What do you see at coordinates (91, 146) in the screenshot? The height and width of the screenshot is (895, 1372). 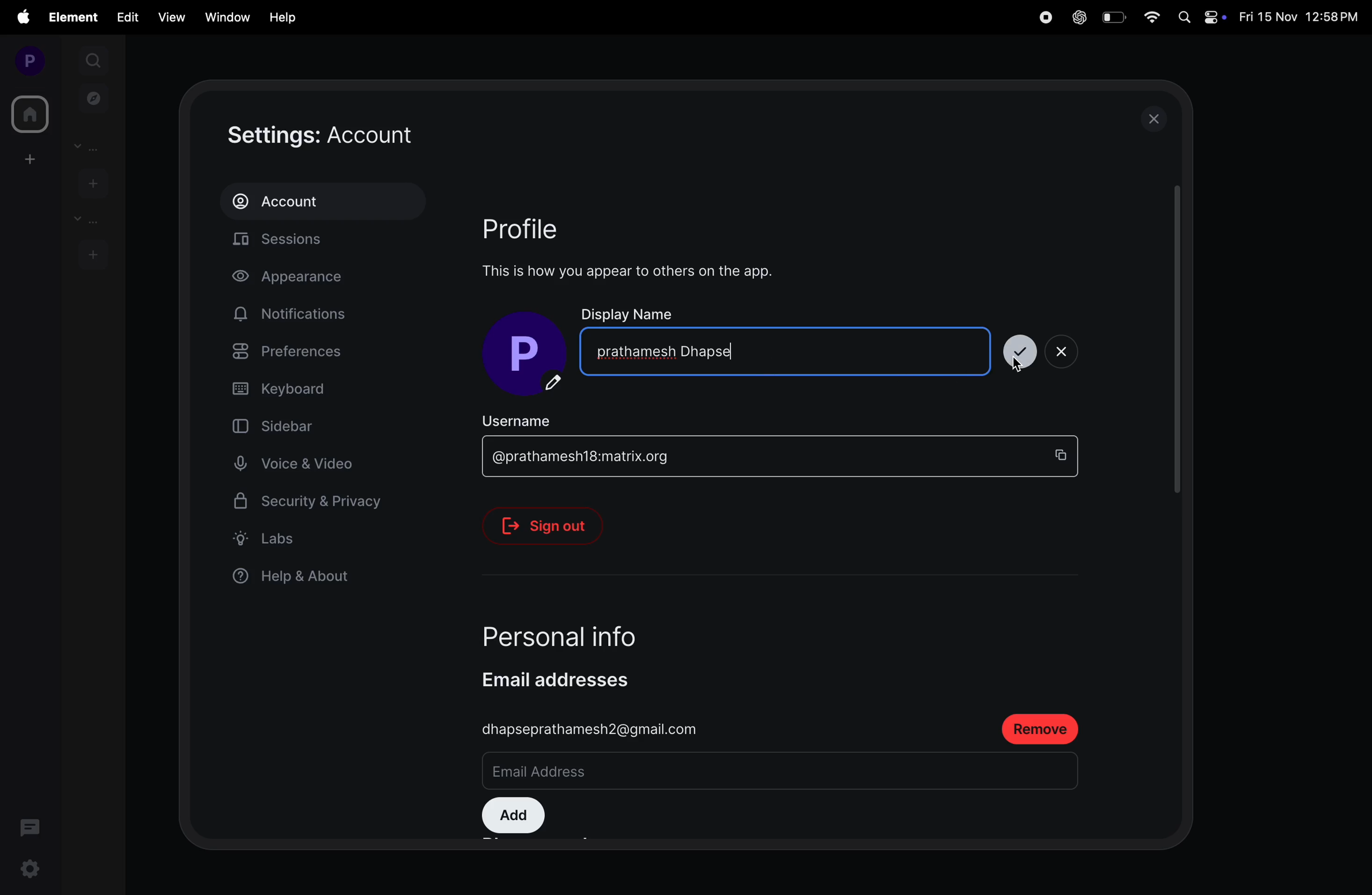 I see `people` at bounding box center [91, 146].